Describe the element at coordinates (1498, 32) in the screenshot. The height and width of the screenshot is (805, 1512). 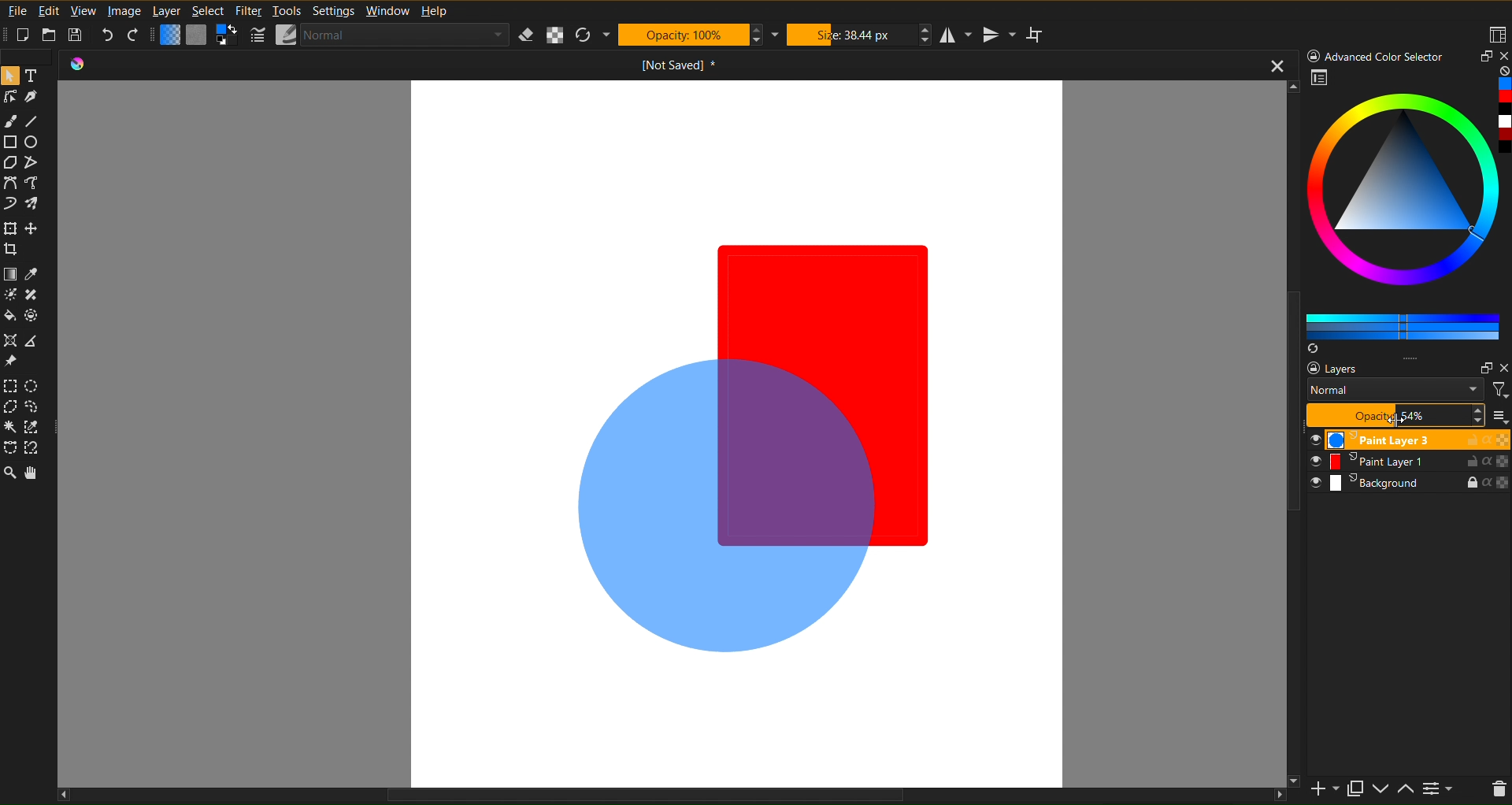
I see `Workspaces` at that location.